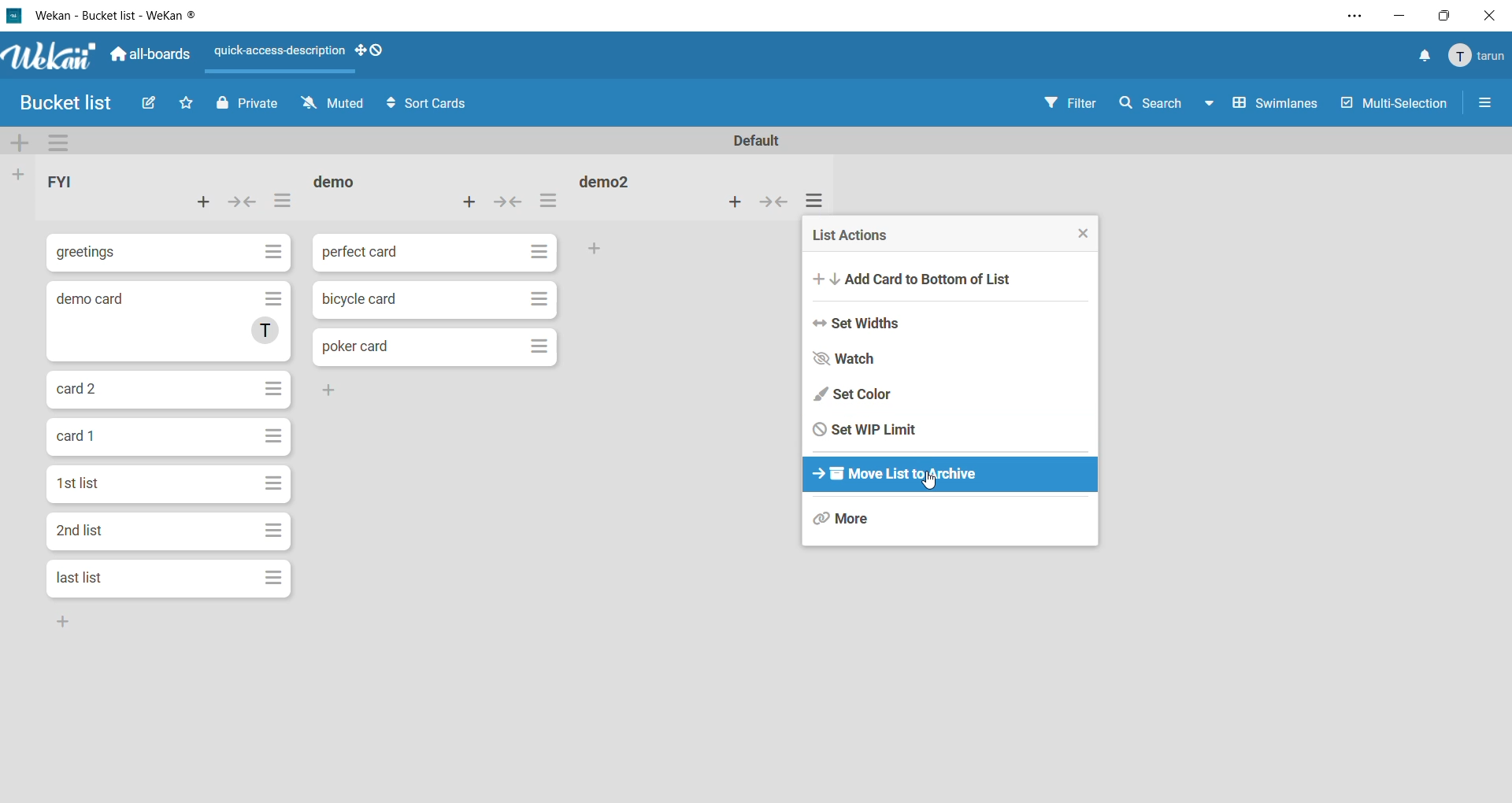 This screenshot has width=1512, height=803. What do you see at coordinates (355, 180) in the screenshot?
I see `list 2 ` at bounding box center [355, 180].